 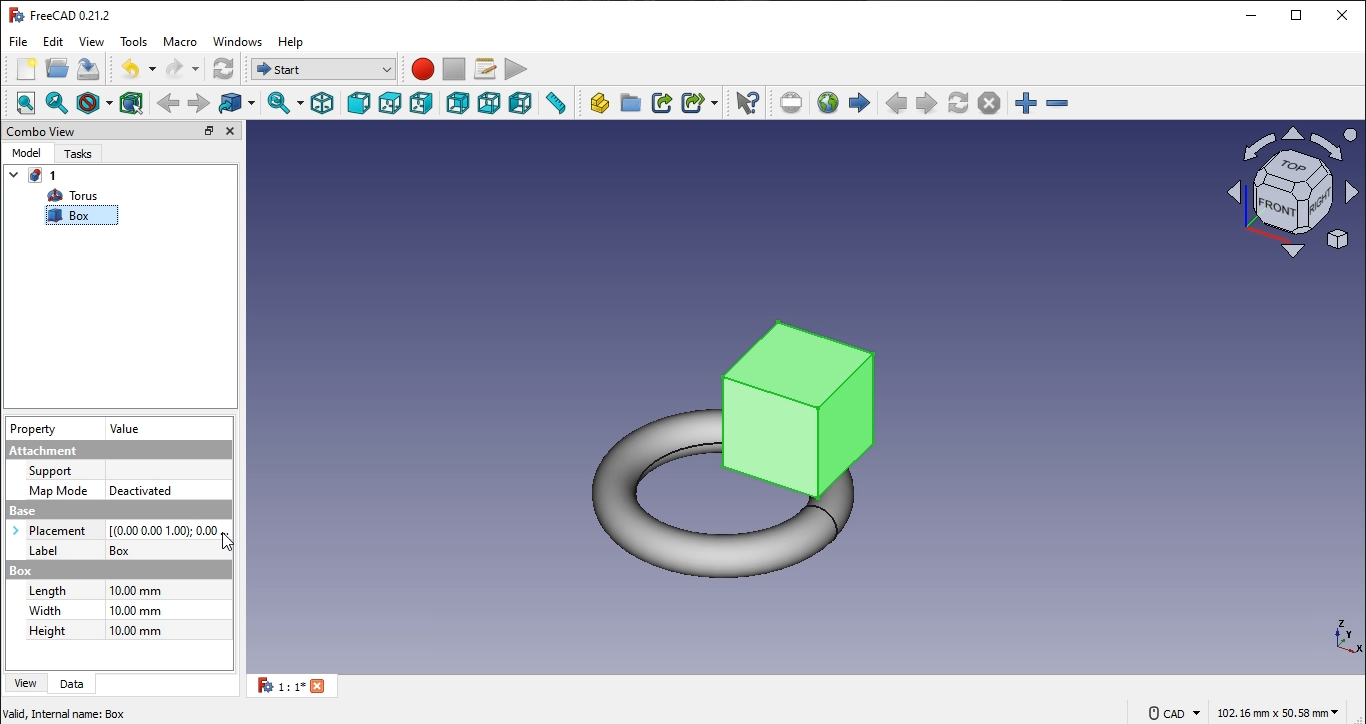 What do you see at coordinates (34, 431) in the screenshot?
I see `property` at bounding box center [34, 431].